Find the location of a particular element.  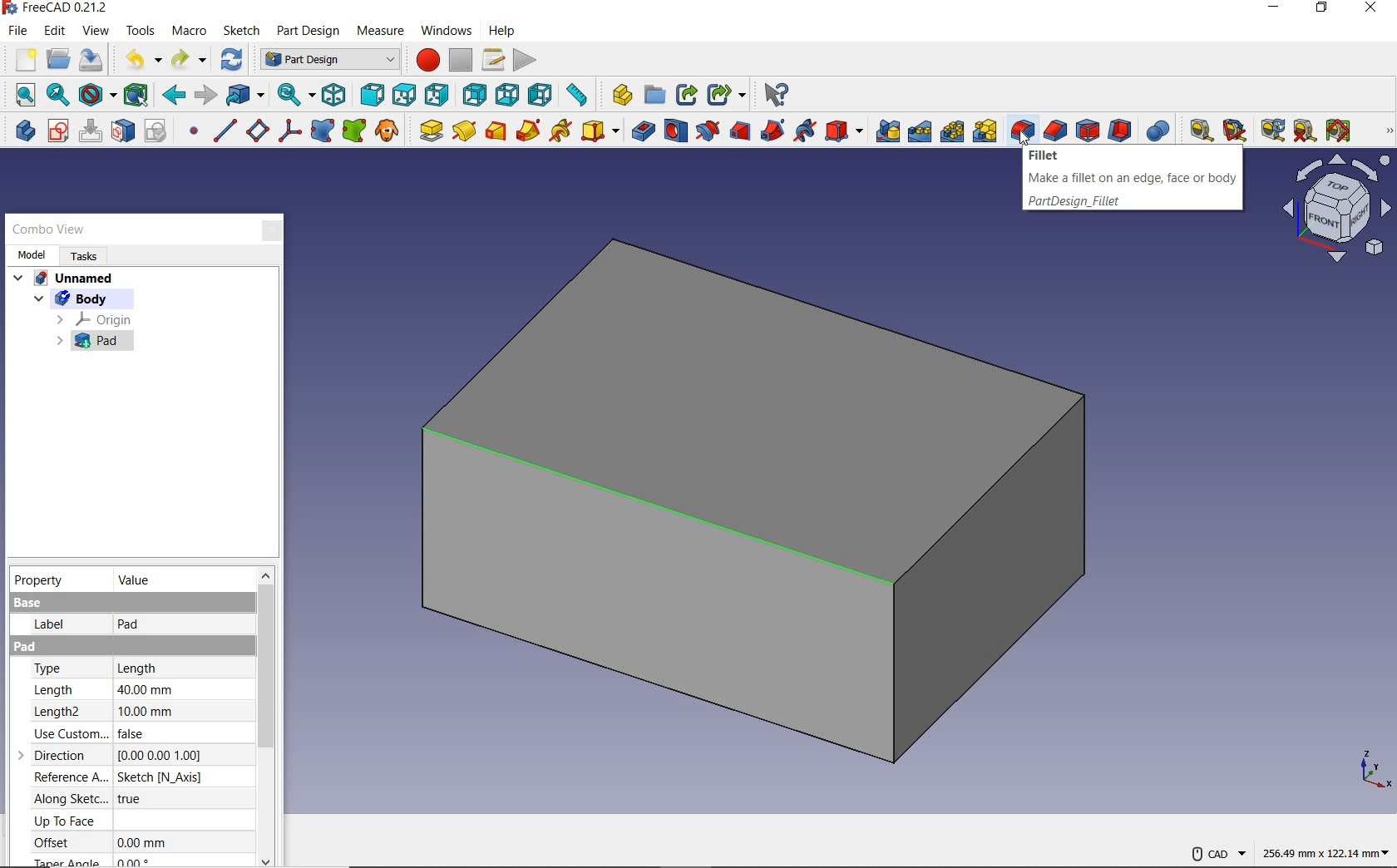

hole is located at coordinates (677, 132).